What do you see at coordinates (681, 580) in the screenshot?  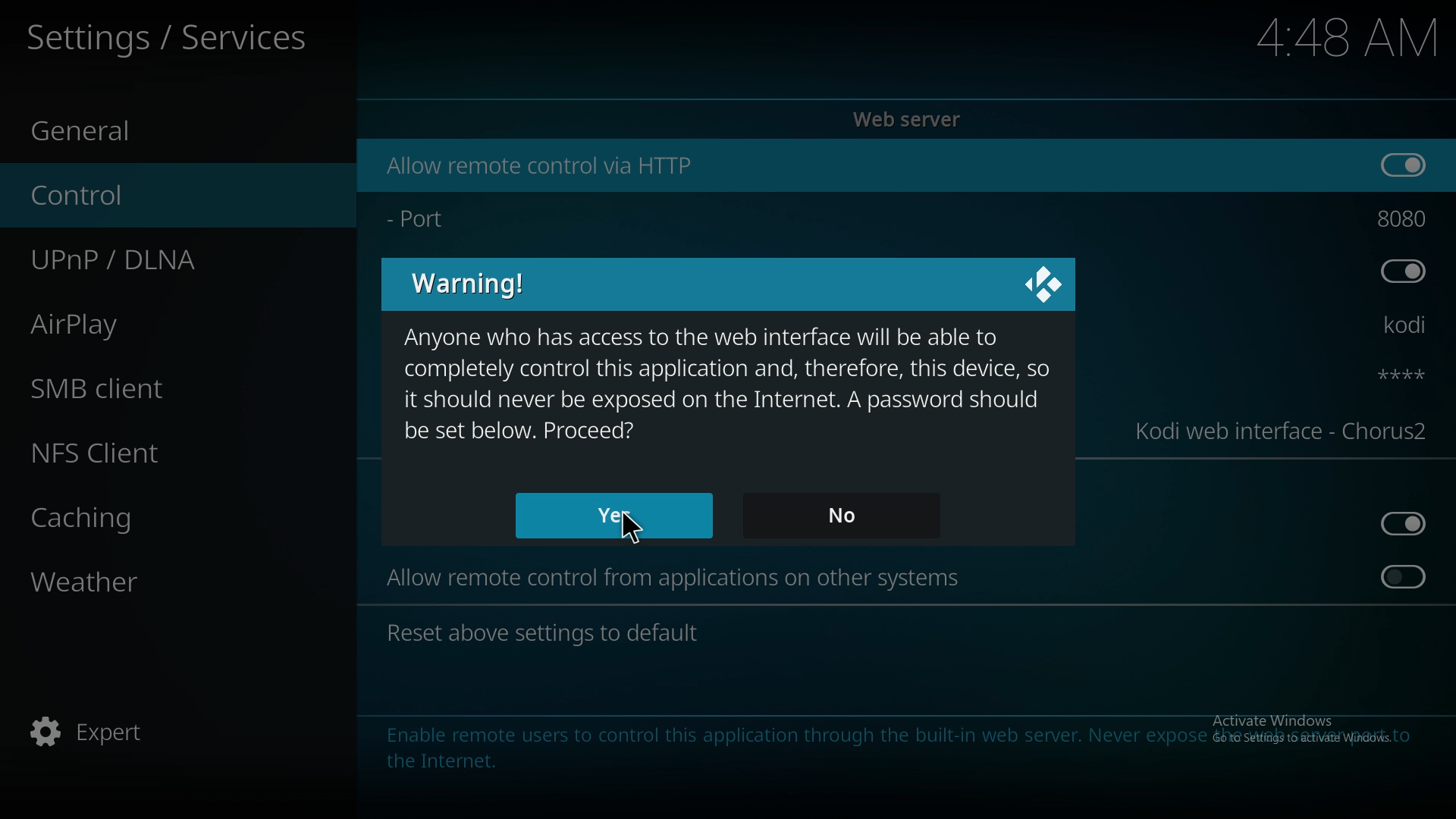 I see `allow remote control from apps on other system` at bounding box center [681, 580].